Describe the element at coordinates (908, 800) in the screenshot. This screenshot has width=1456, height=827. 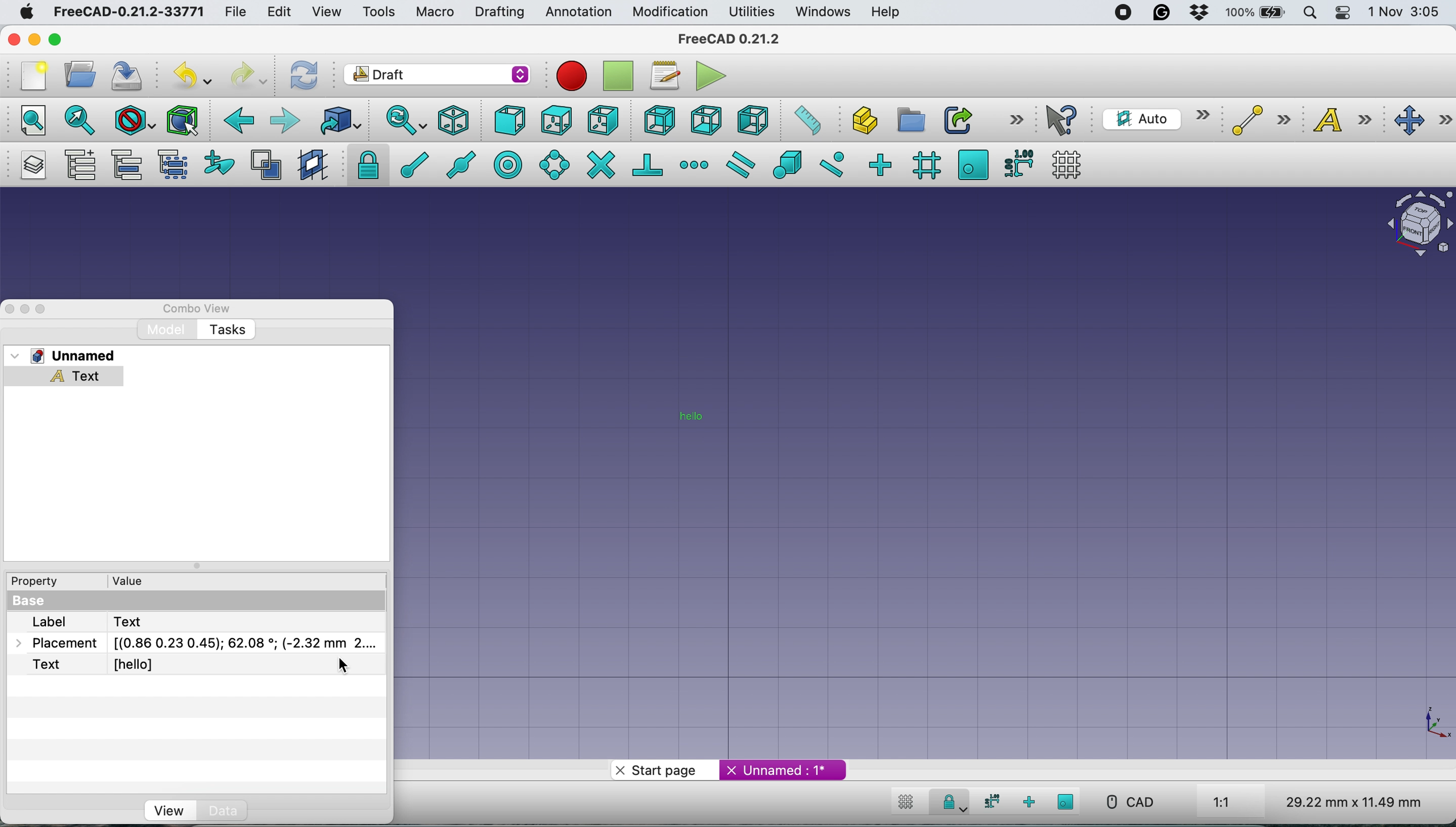
I see `toggle grid` at that location.